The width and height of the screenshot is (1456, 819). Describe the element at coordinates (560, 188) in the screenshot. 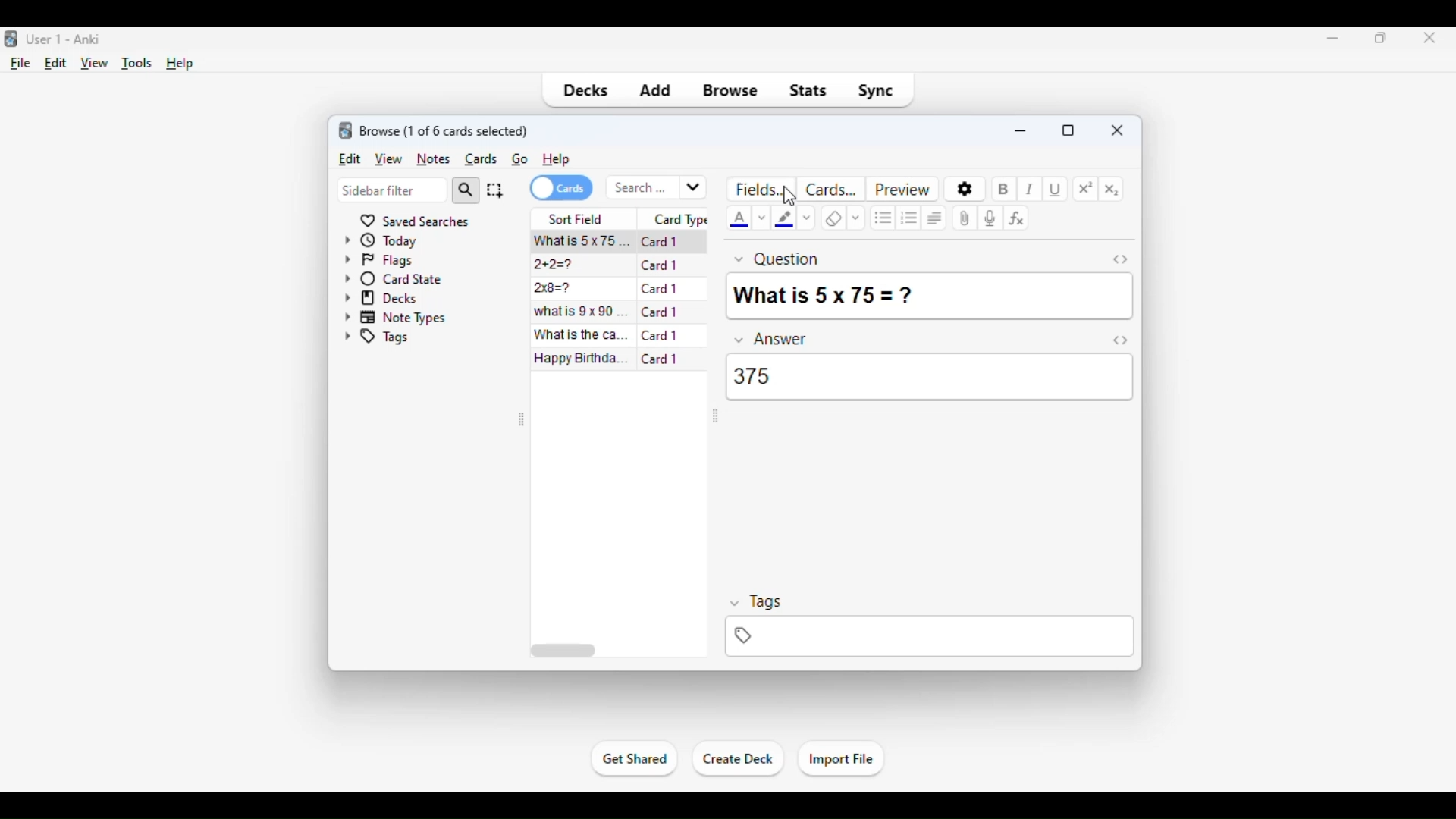

I see `cards` at that location.